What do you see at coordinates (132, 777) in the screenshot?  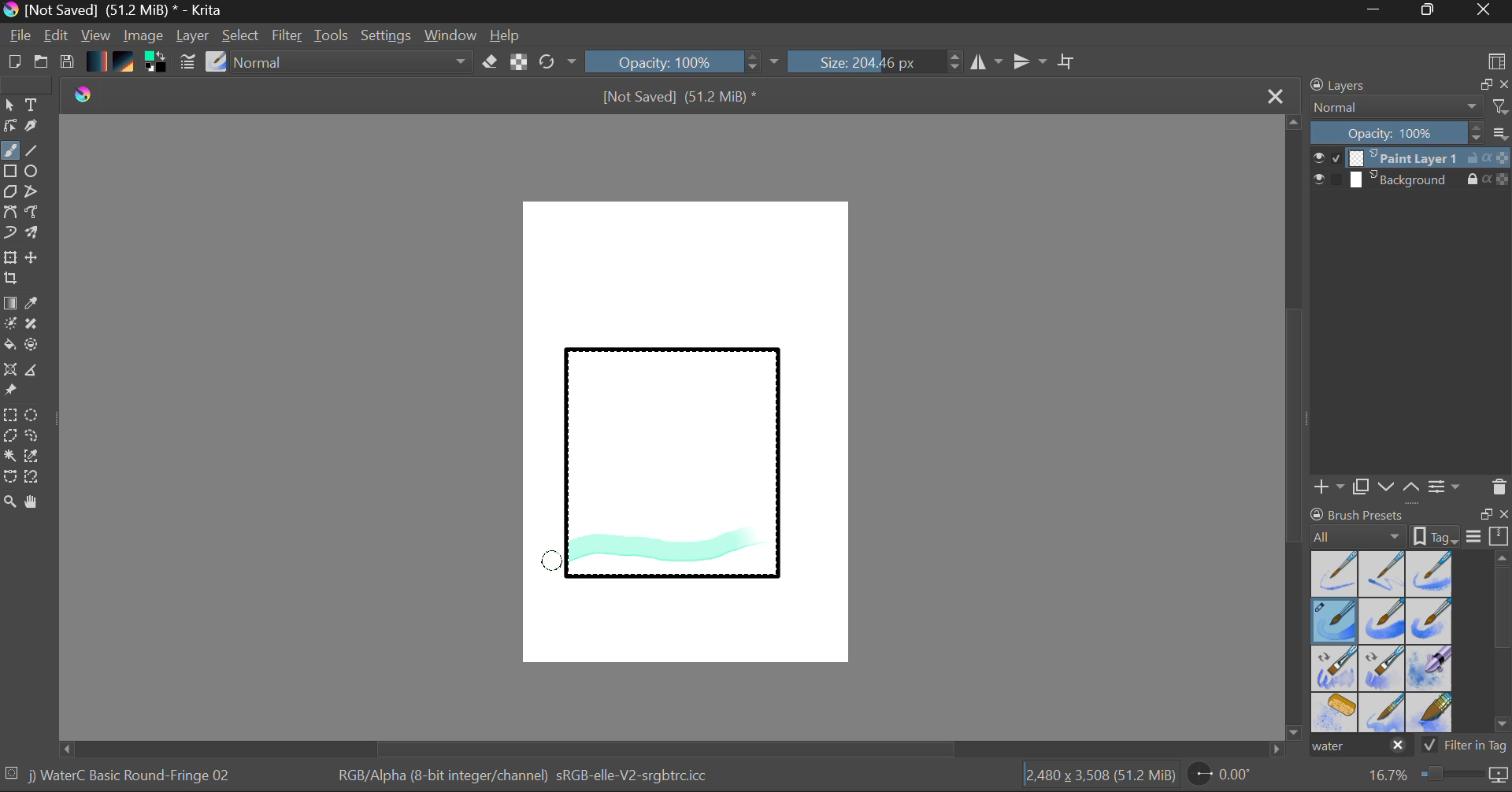 I see `Brush Selected` at bounding box center [132, 777].